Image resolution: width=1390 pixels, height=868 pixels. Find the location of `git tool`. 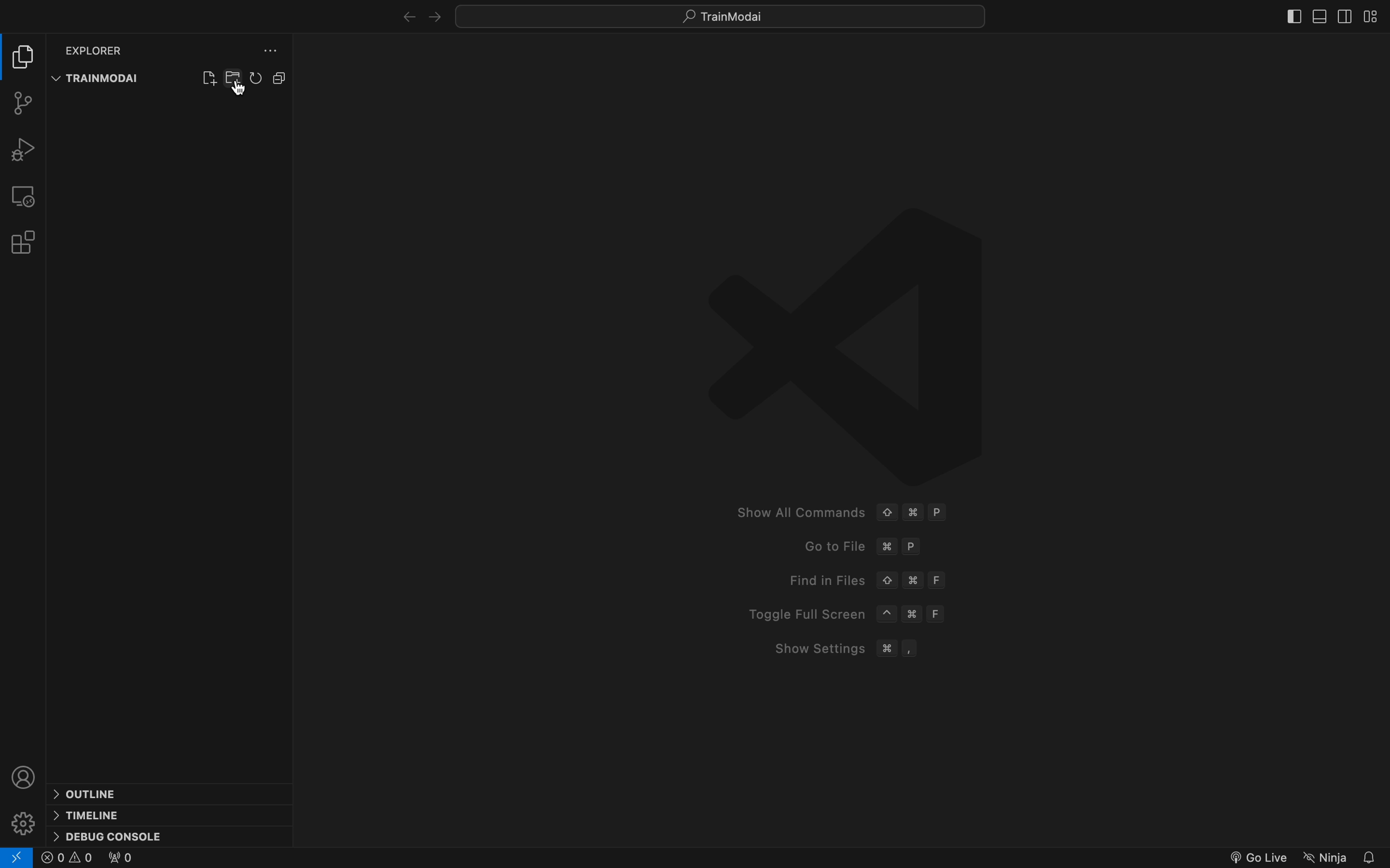

git tool is located at coordinates (23, 103).